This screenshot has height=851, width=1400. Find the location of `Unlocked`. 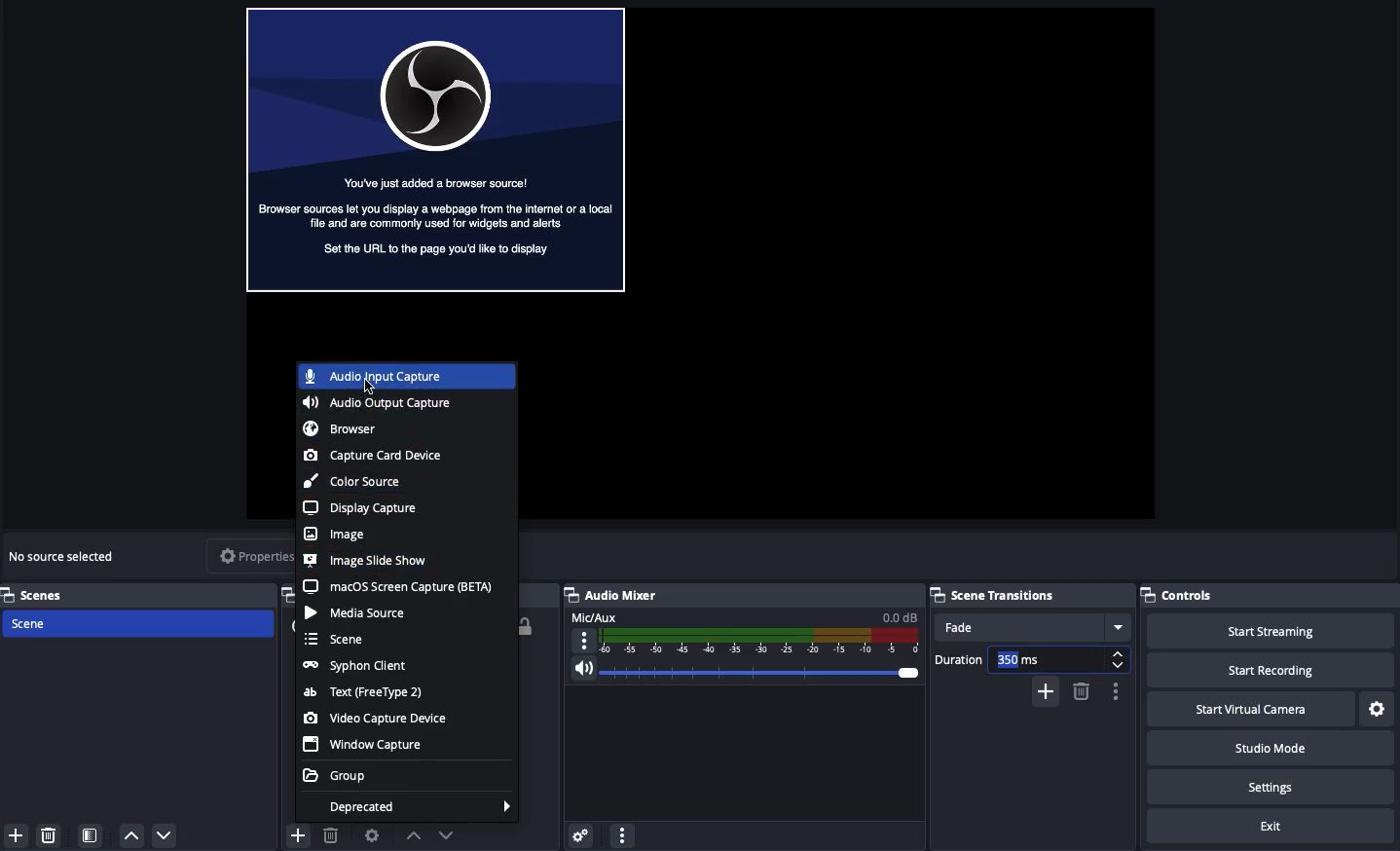

Unlocked is located at coordinates (528, 625).